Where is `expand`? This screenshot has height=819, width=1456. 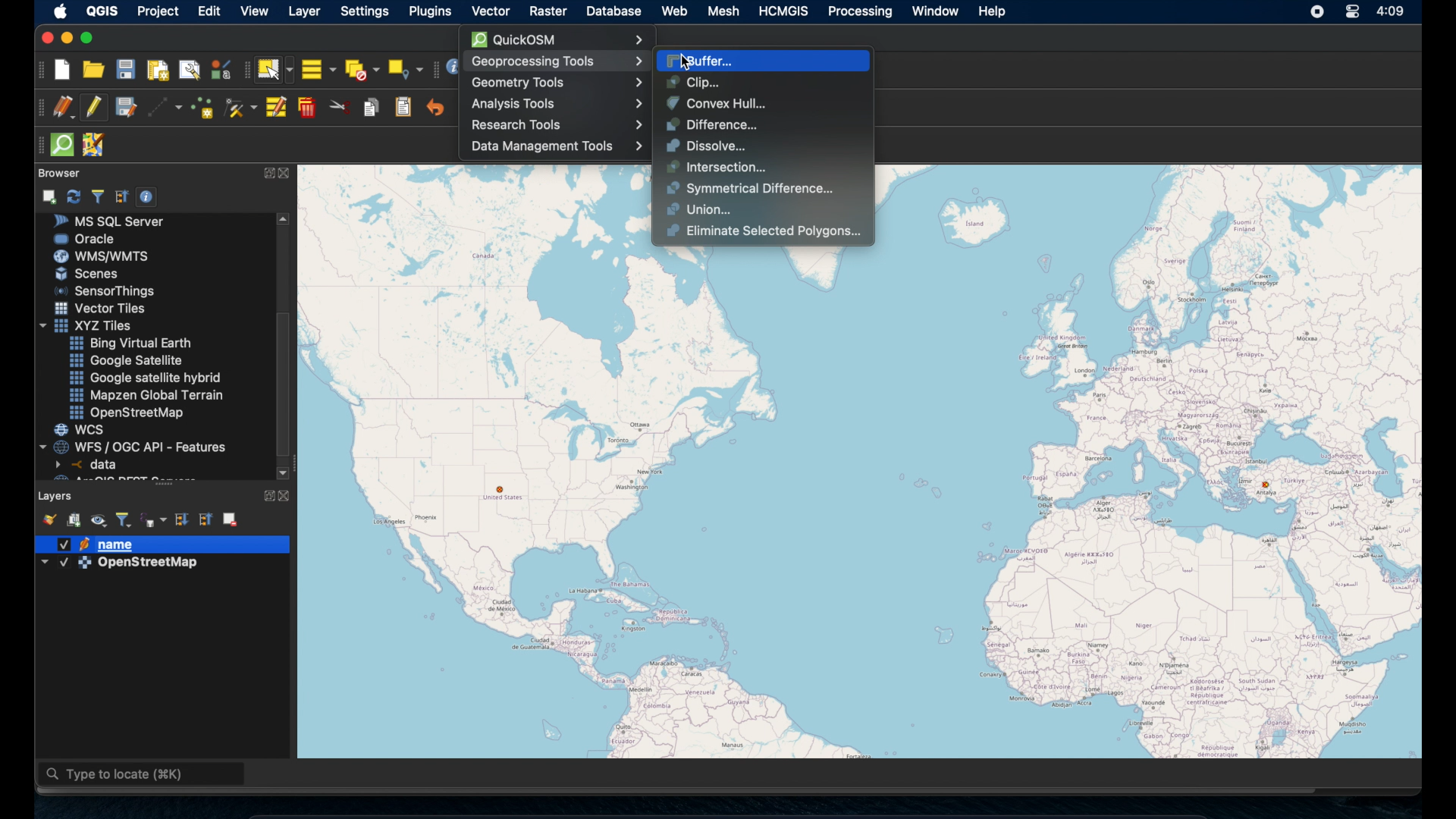 expand is located at coordinates (265, 494).